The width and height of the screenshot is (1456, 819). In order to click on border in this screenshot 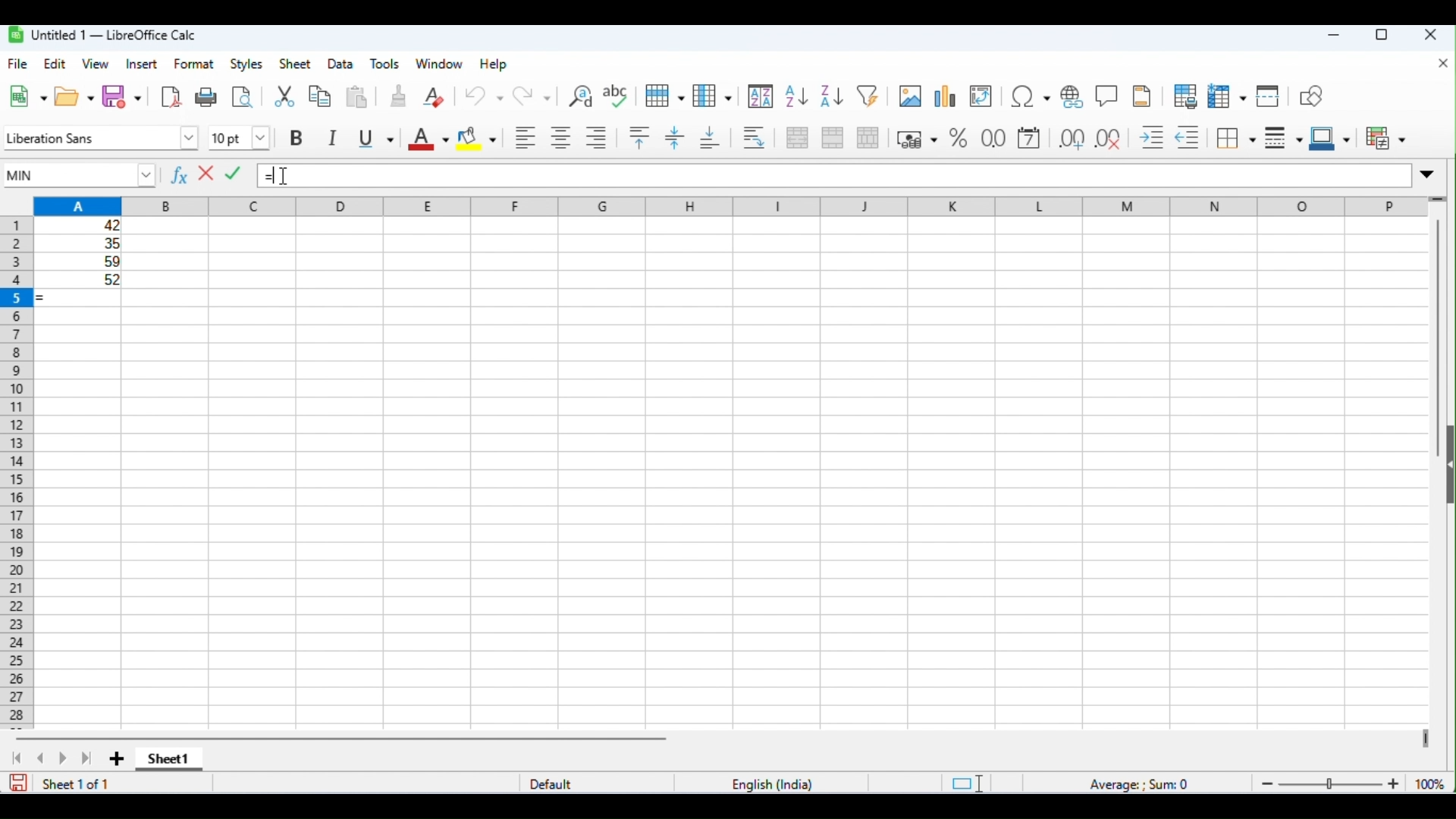, I will do `click(1235, 139)`.